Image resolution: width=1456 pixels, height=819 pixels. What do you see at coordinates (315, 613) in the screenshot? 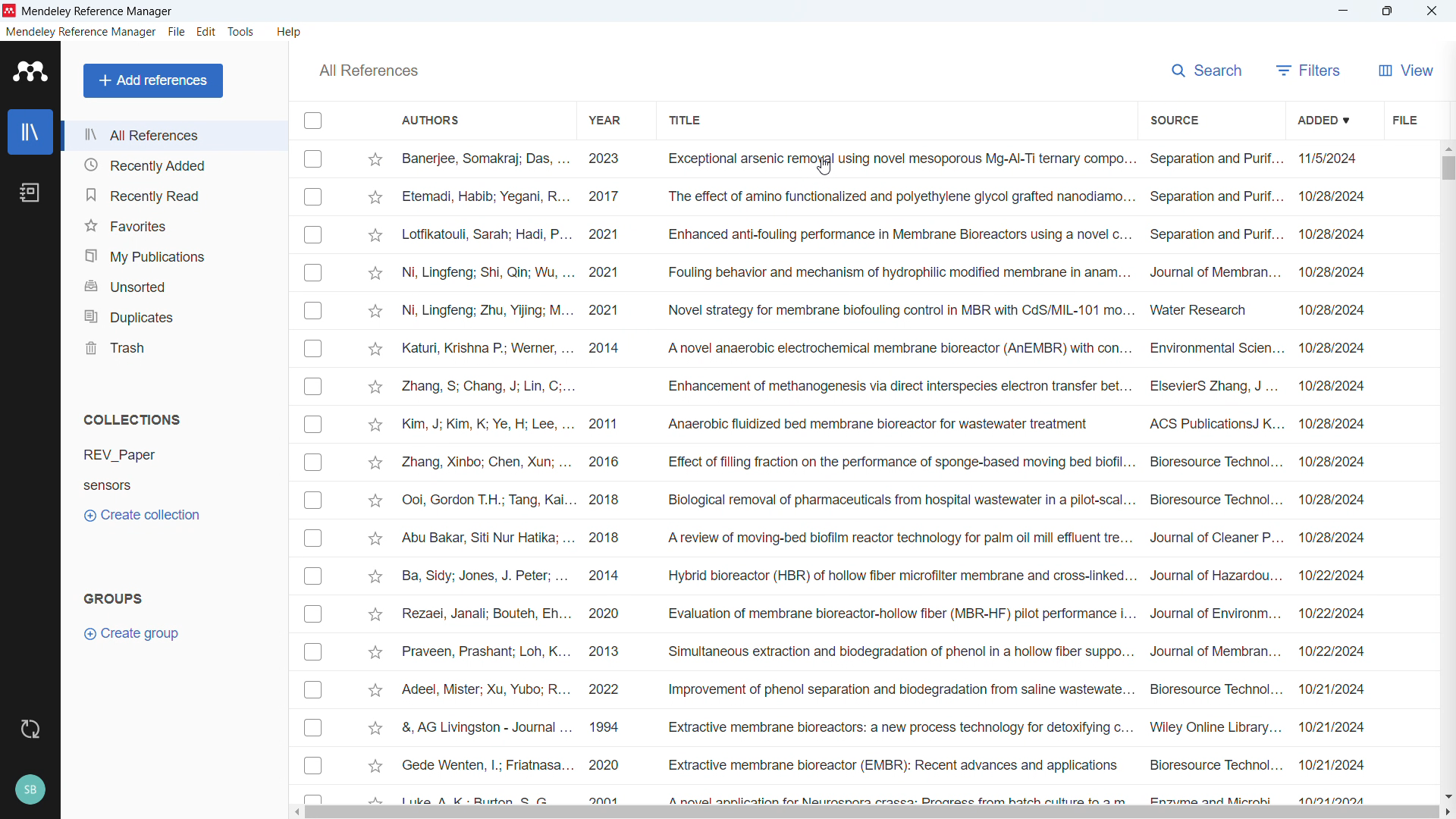
I see `` at bounding box center [315, 613].